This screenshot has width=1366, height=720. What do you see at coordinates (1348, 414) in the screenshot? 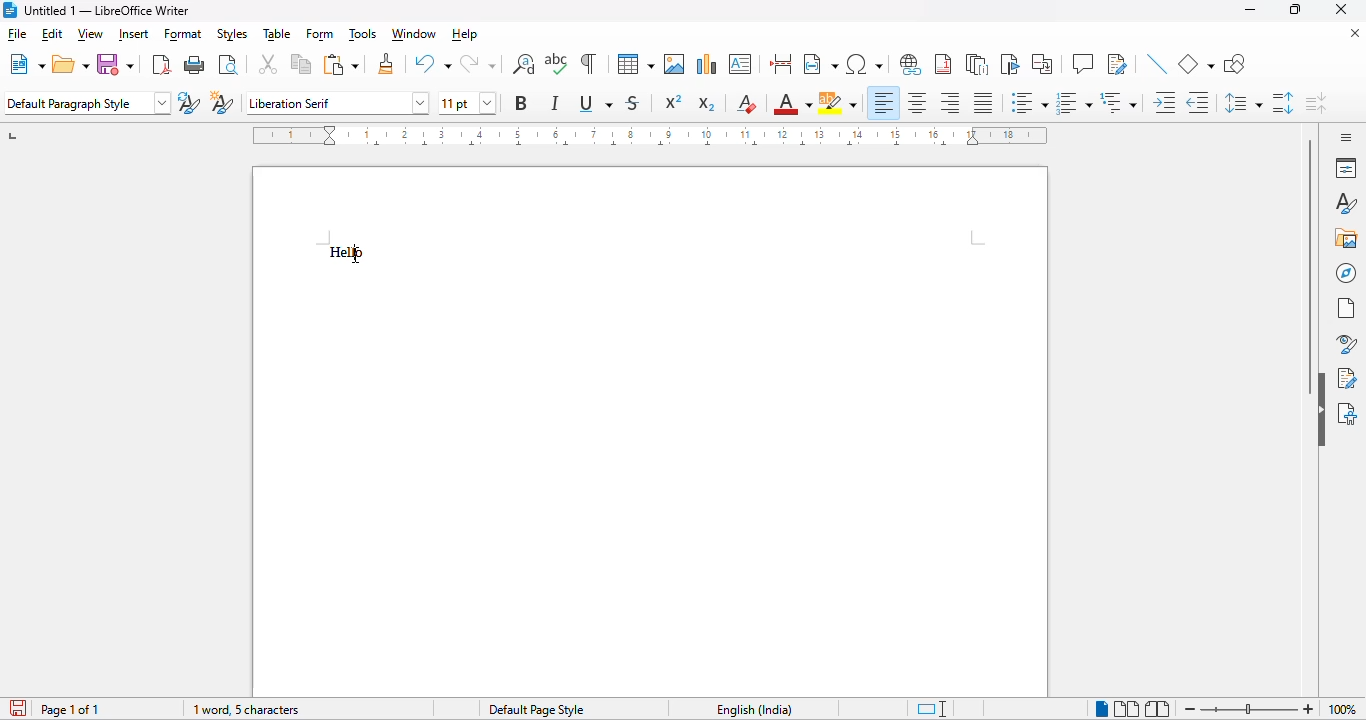
I see `accessibility check` at bounding box center [1348, 414].